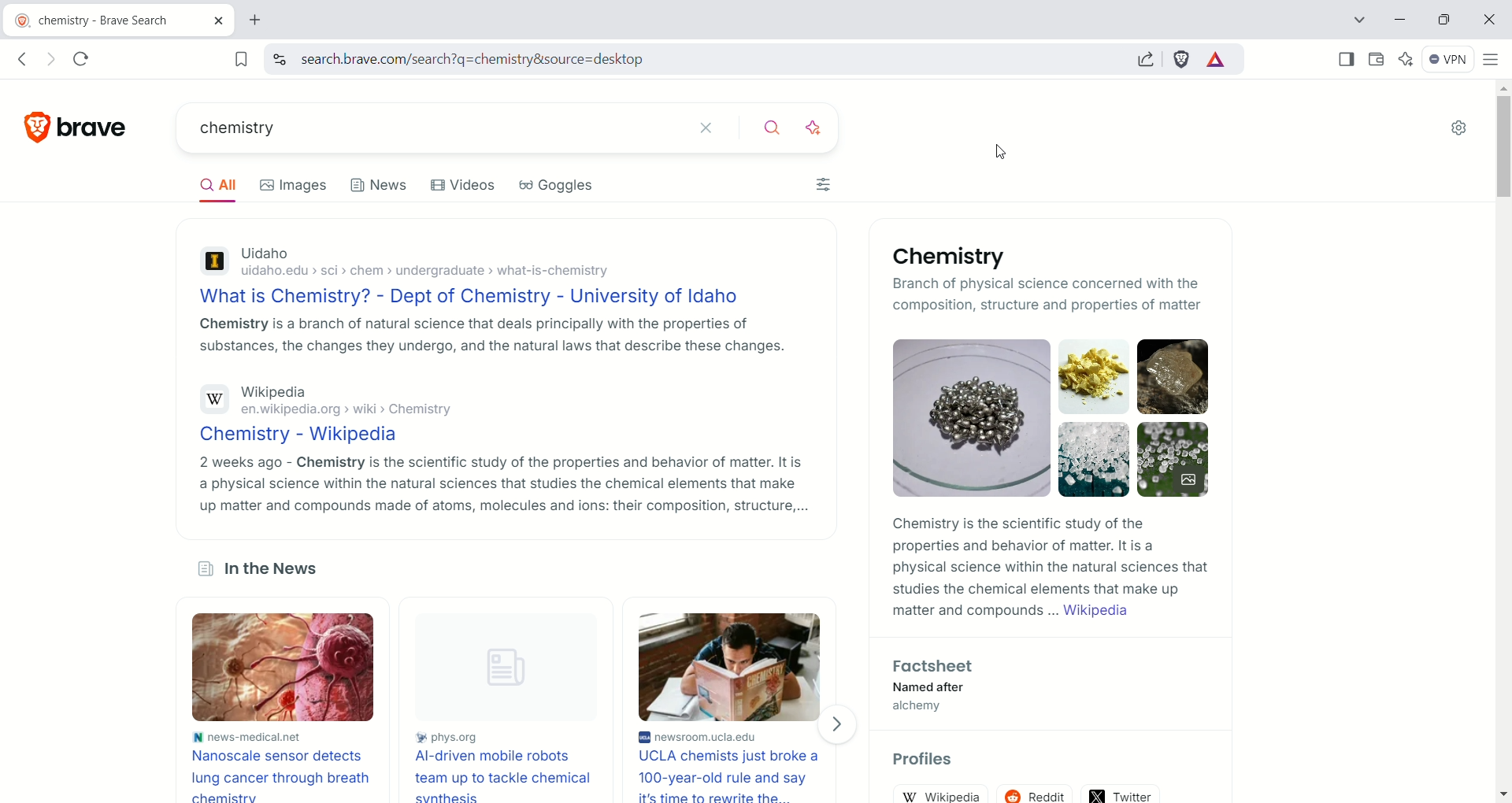  Describe the element at coordinates (264, 20) in the screenshot. I see `new tab` at that location.